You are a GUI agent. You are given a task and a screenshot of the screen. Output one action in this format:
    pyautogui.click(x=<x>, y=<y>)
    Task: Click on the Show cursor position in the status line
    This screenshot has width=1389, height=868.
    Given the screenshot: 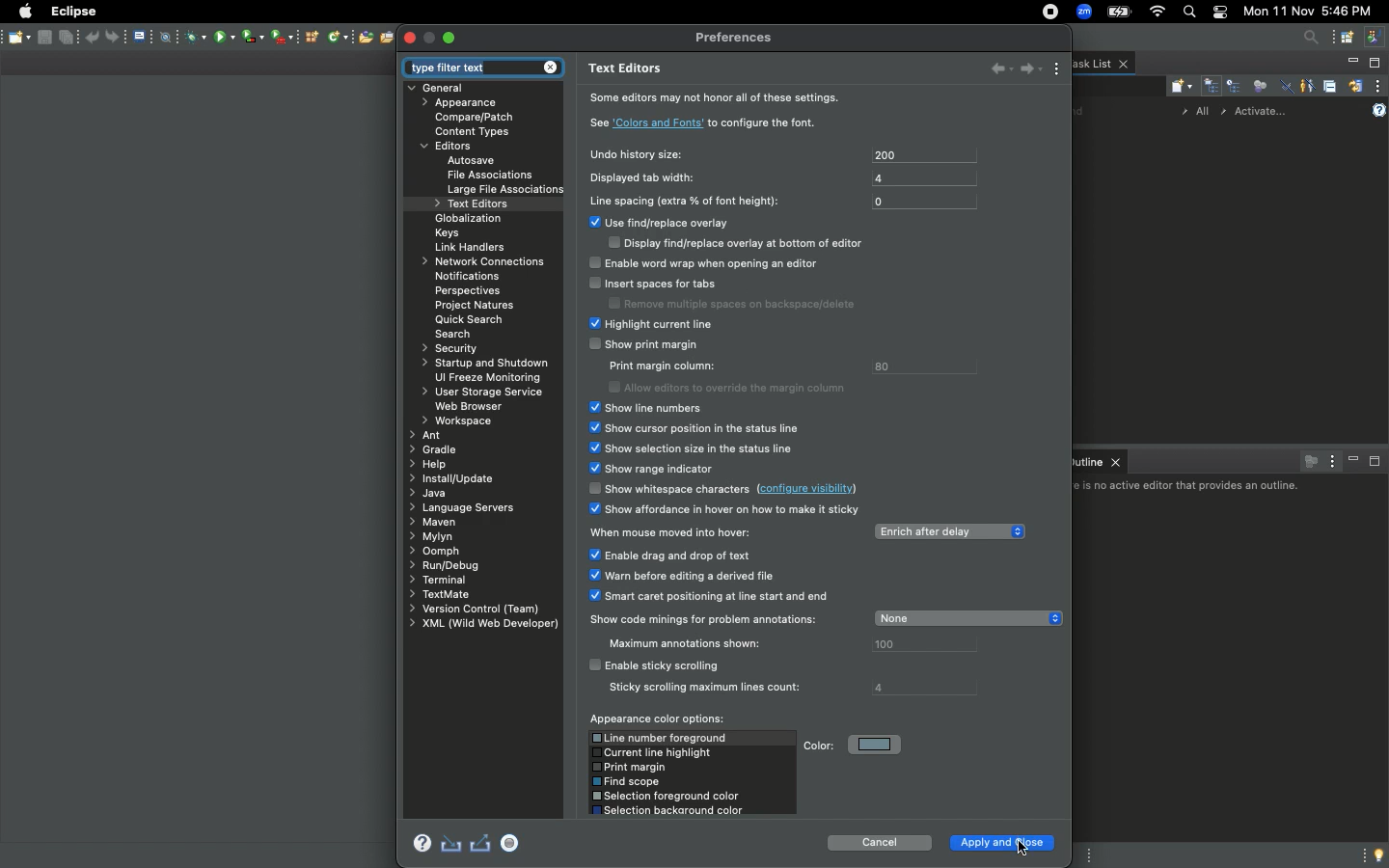 What is the action you would take?
    pyautogui.click(x=695, y=426)
    